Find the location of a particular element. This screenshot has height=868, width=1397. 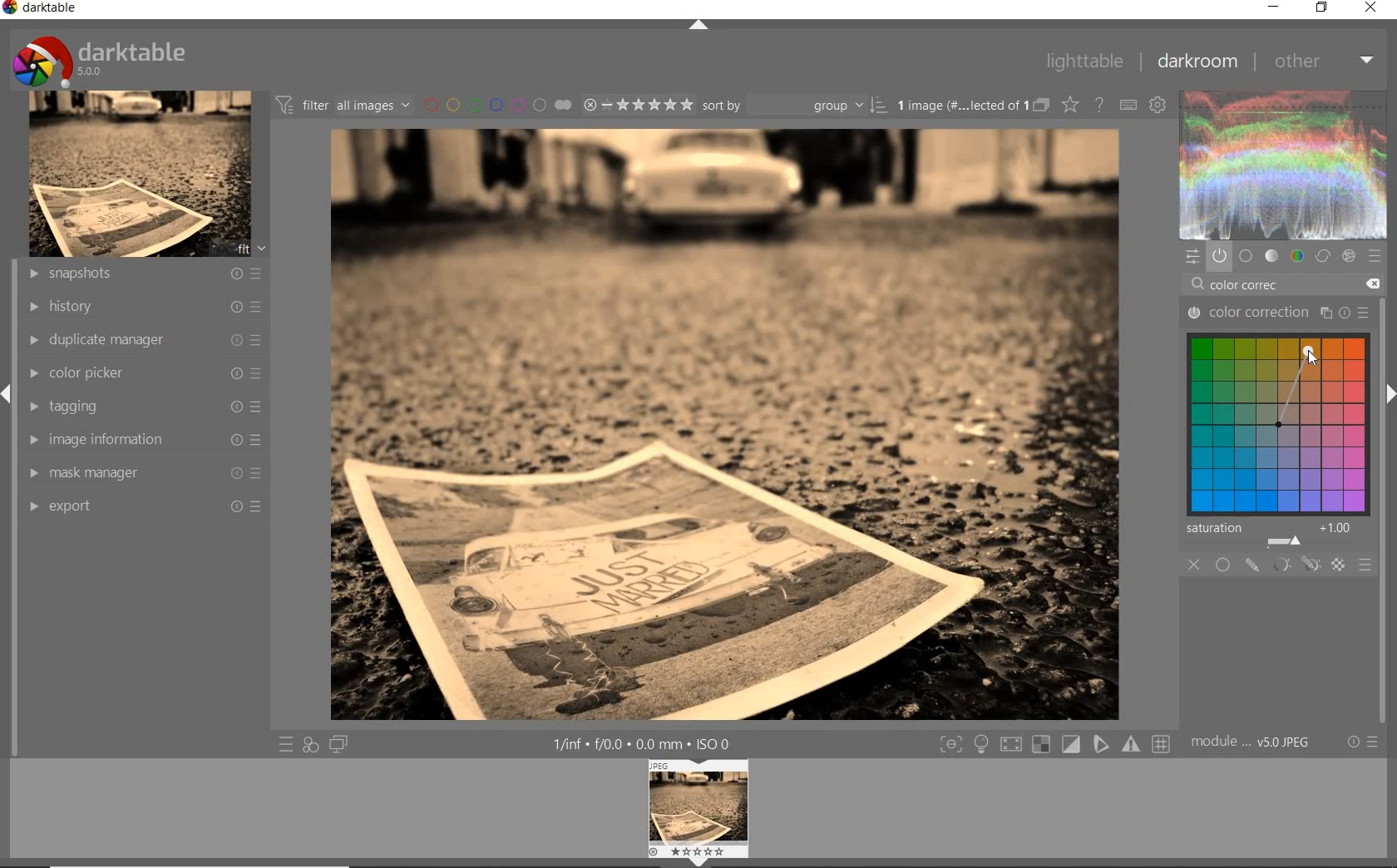

other is located at coordinates (1326, 62).